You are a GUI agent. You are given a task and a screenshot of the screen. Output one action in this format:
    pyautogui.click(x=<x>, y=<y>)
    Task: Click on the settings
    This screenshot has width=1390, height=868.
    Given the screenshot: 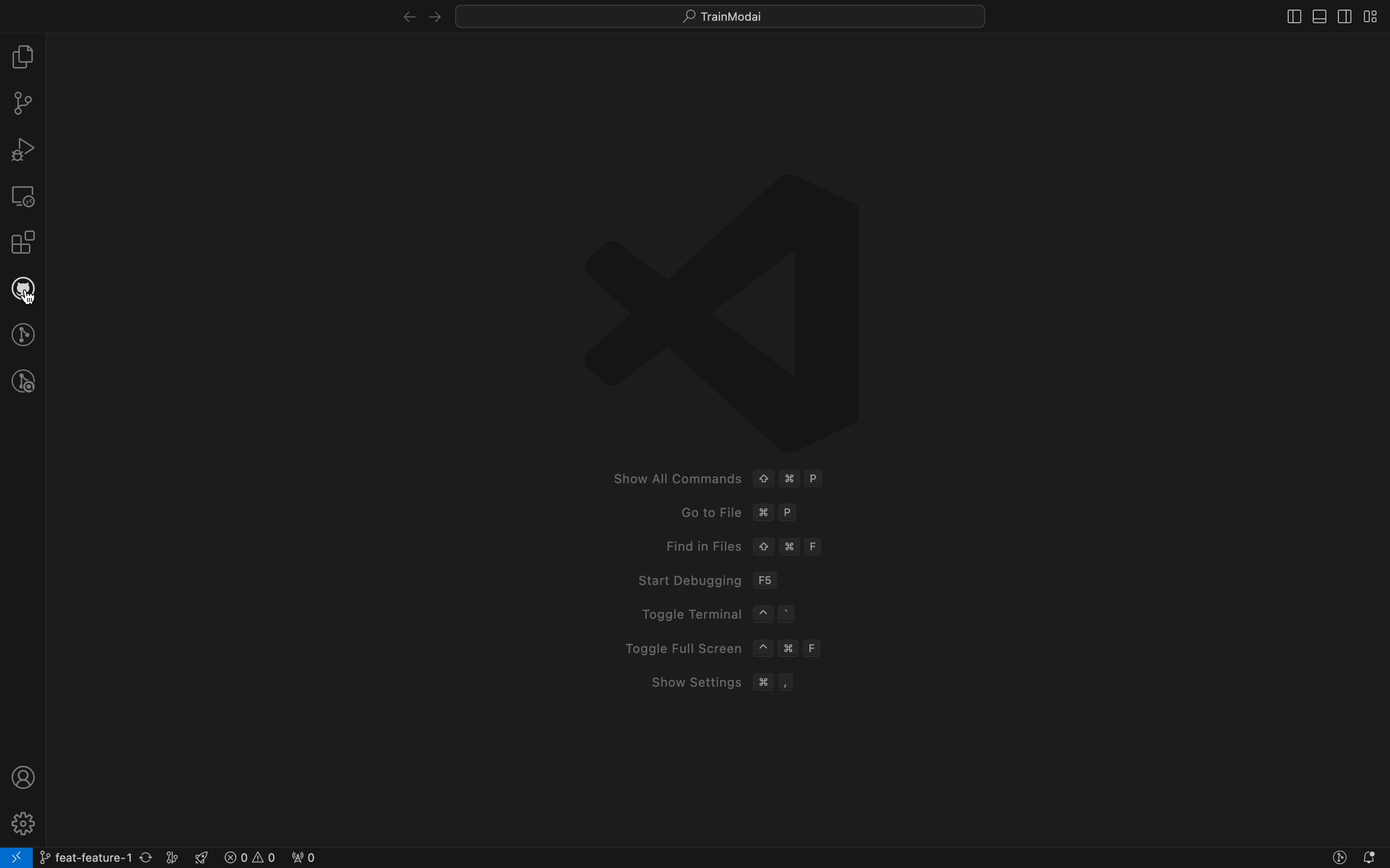 What is the action you would take?
    pyautogui.click(x=21, y=821)
    